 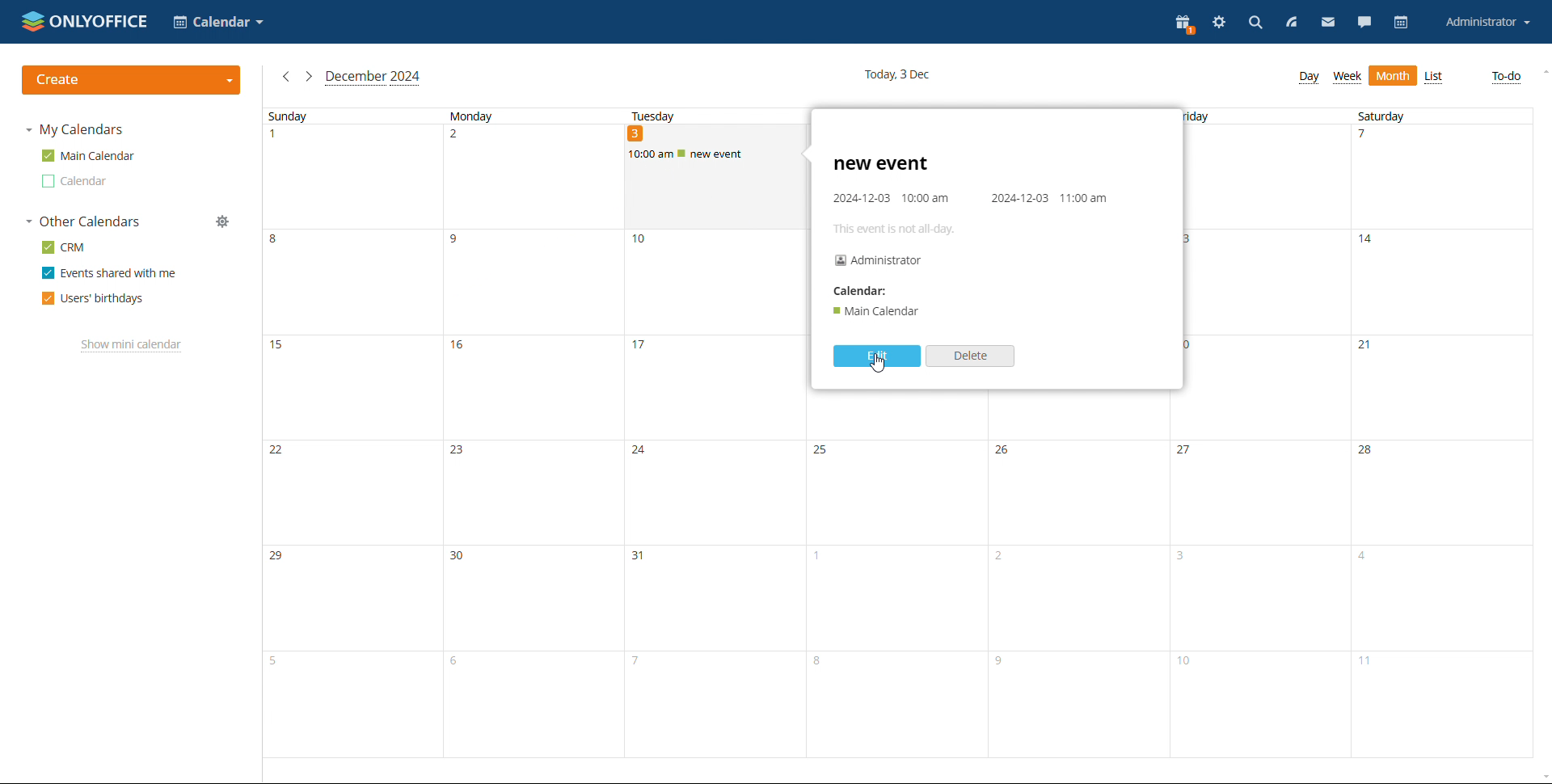 I want to click on new event, so click(x=881, y=165).